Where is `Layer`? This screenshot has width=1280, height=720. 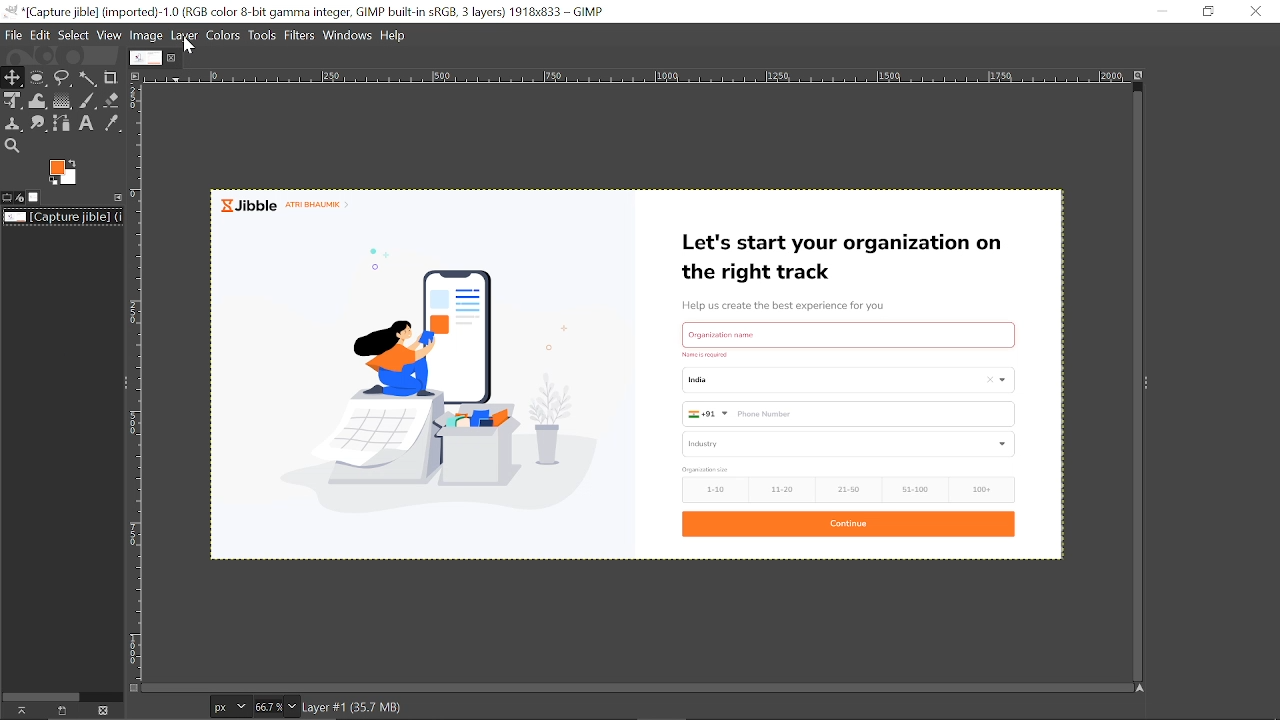
Layer is located at coordinates (186, 34).